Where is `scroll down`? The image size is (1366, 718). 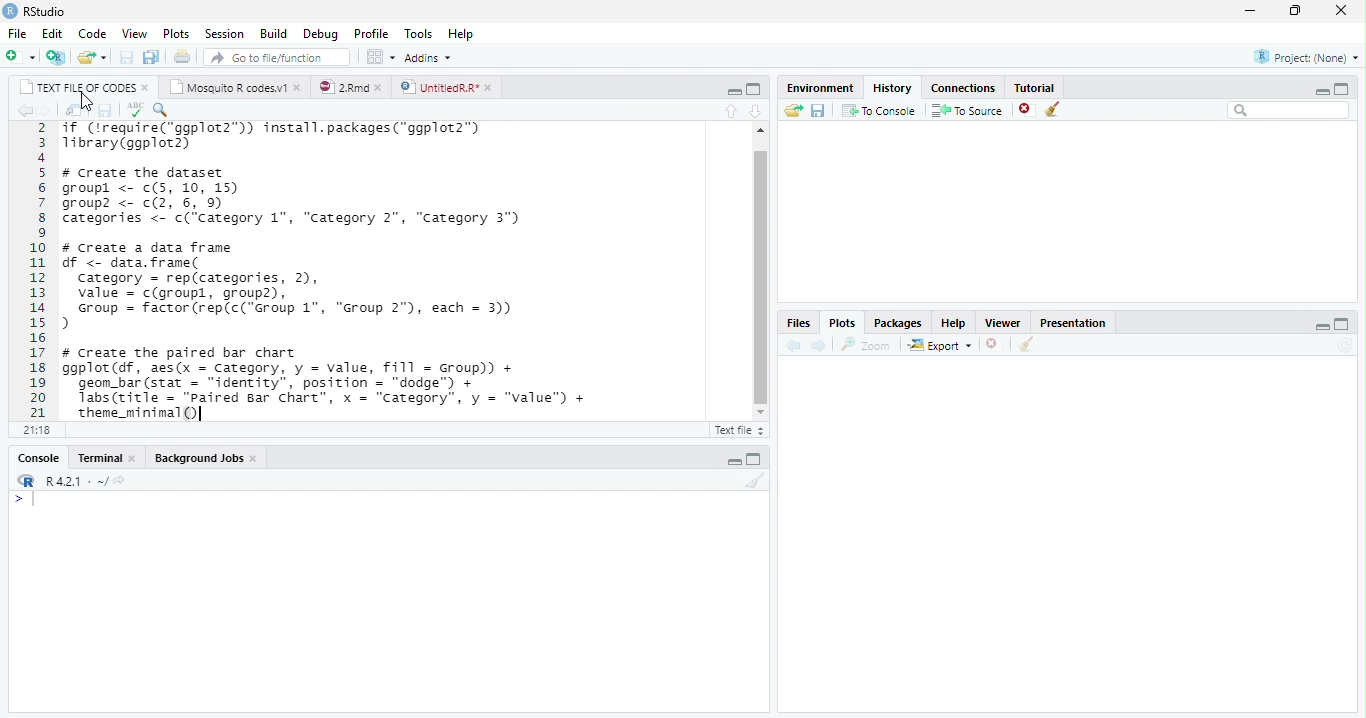
scroll down is located at coordinates (762, 413).